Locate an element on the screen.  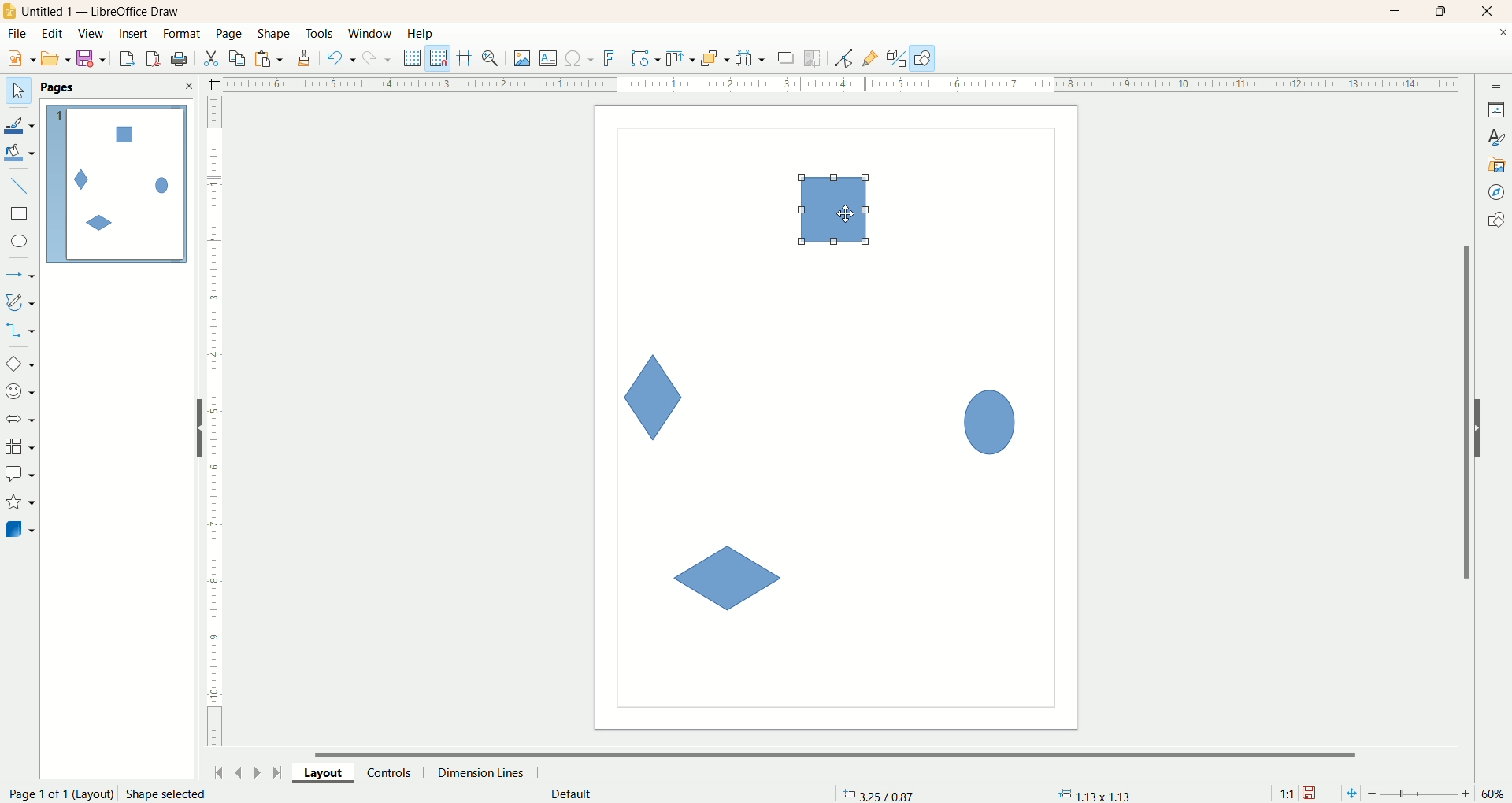
maximize is located at coordinates (1442, 11).